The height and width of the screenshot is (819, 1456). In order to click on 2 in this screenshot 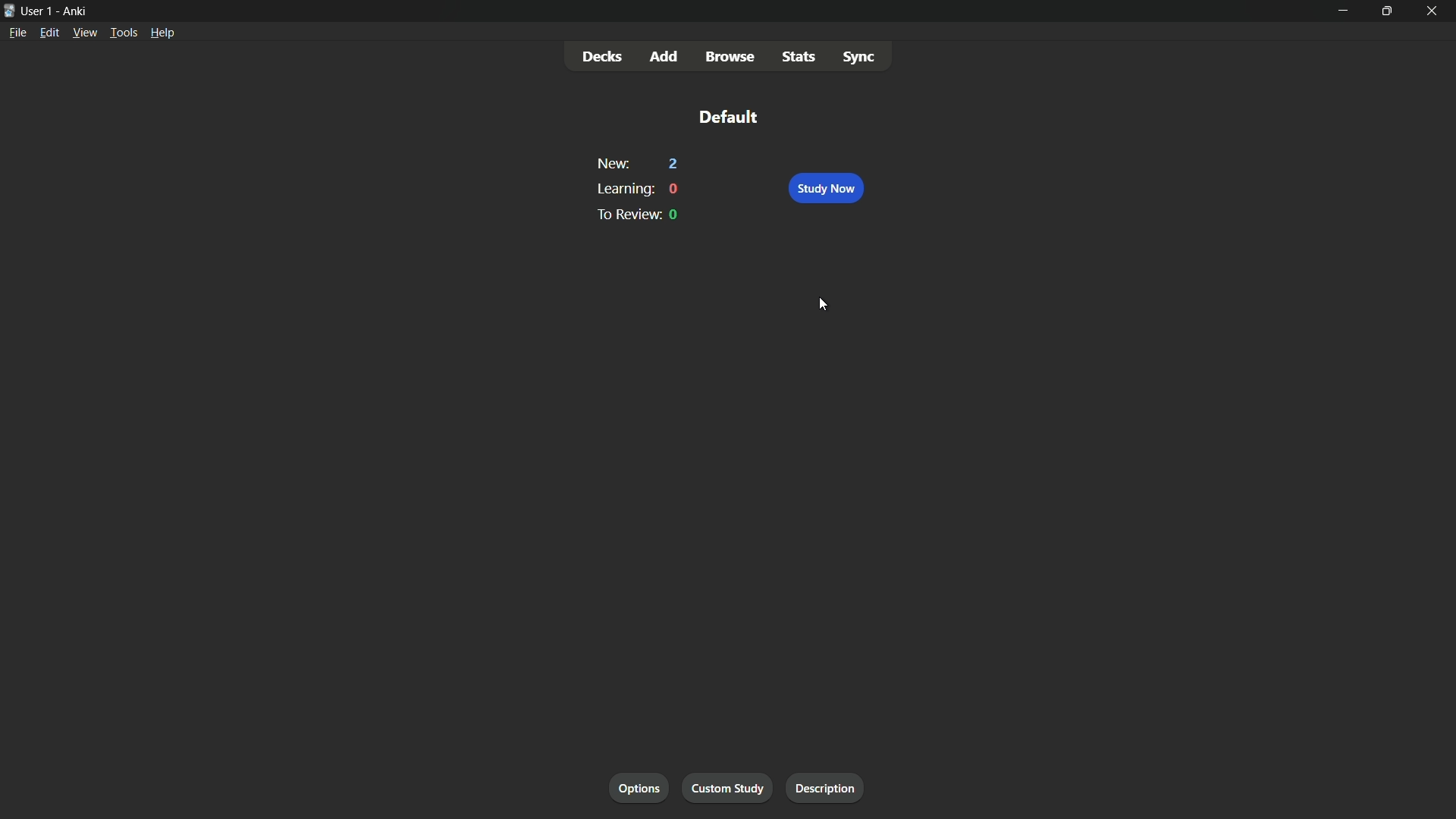, I will do `click(672, 162)`.